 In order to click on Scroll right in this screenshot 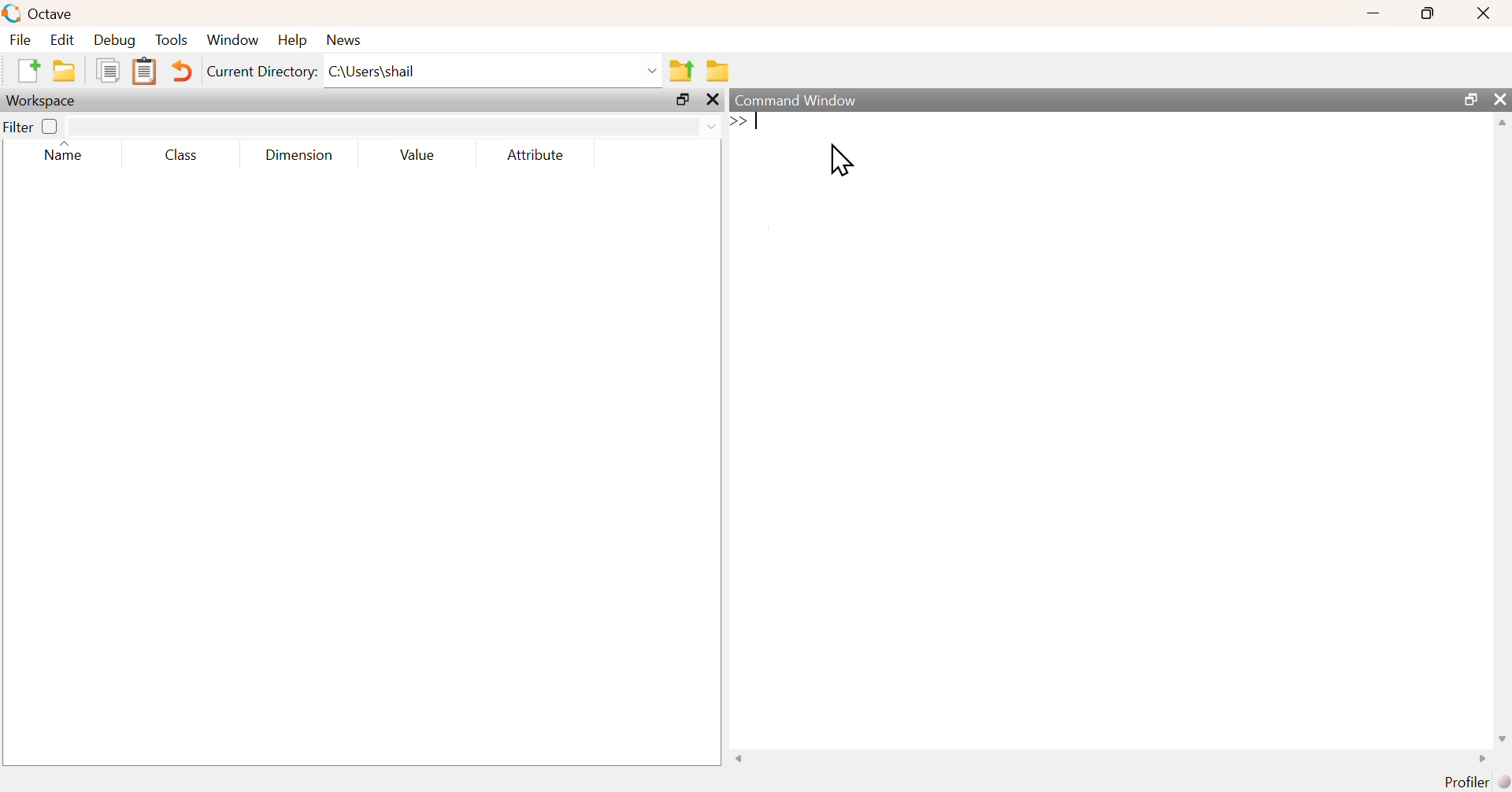, I will do `click(1478, 761)`.